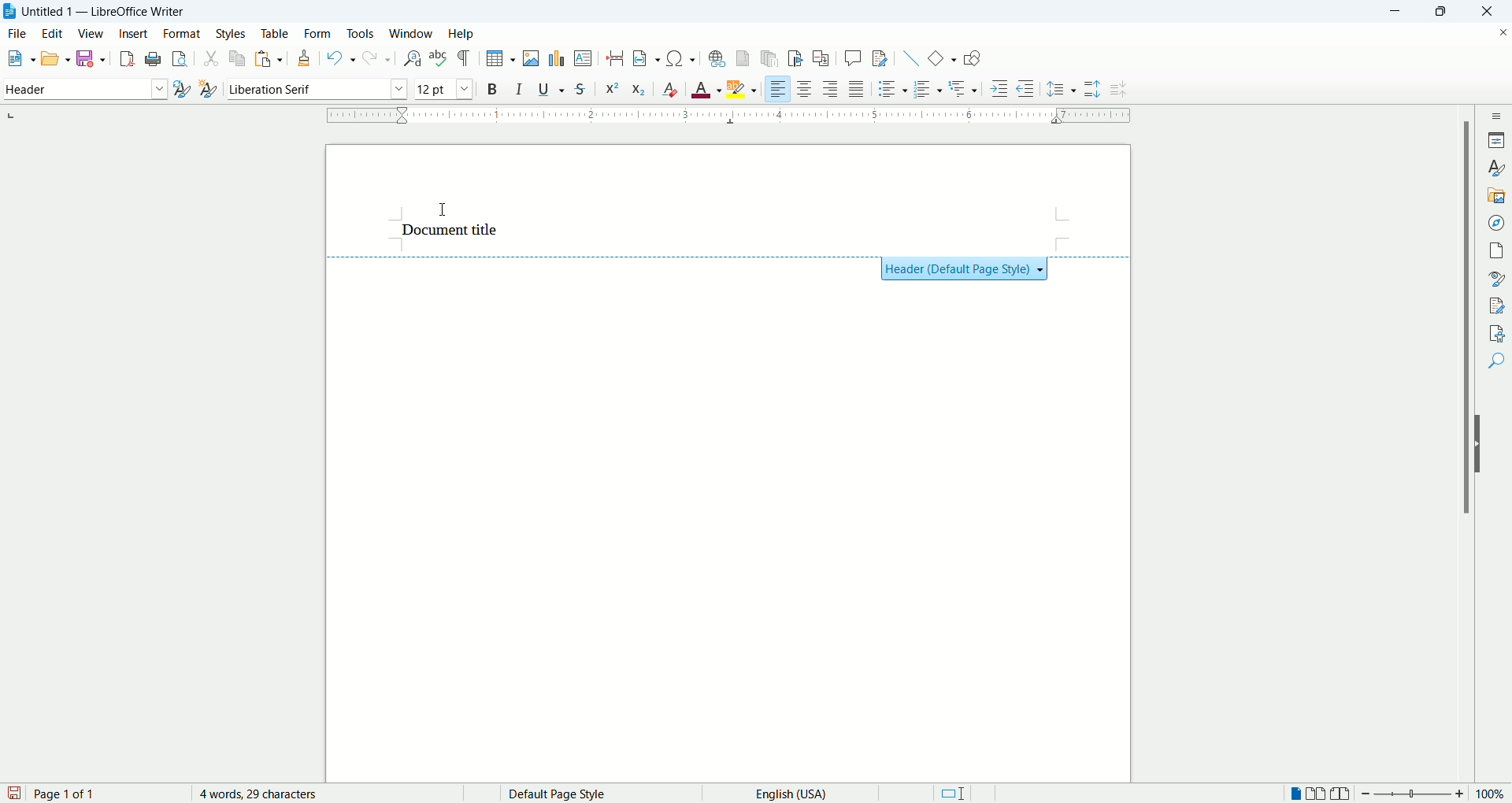  I want to click on text highlighting, so click(743, 90).